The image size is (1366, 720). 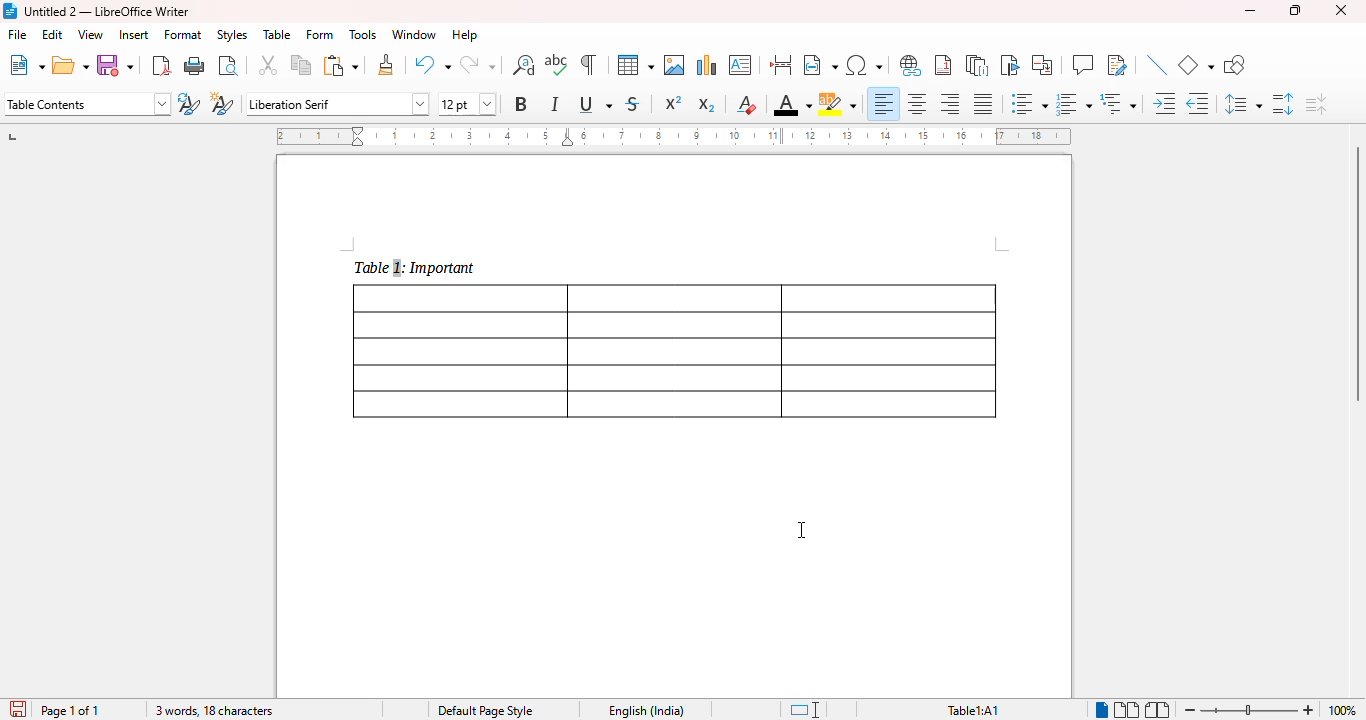 What do you see at coordinates (1030, 103) in the screenshot?
I see `toggle unordered list` at bounding box center [1030, 103].